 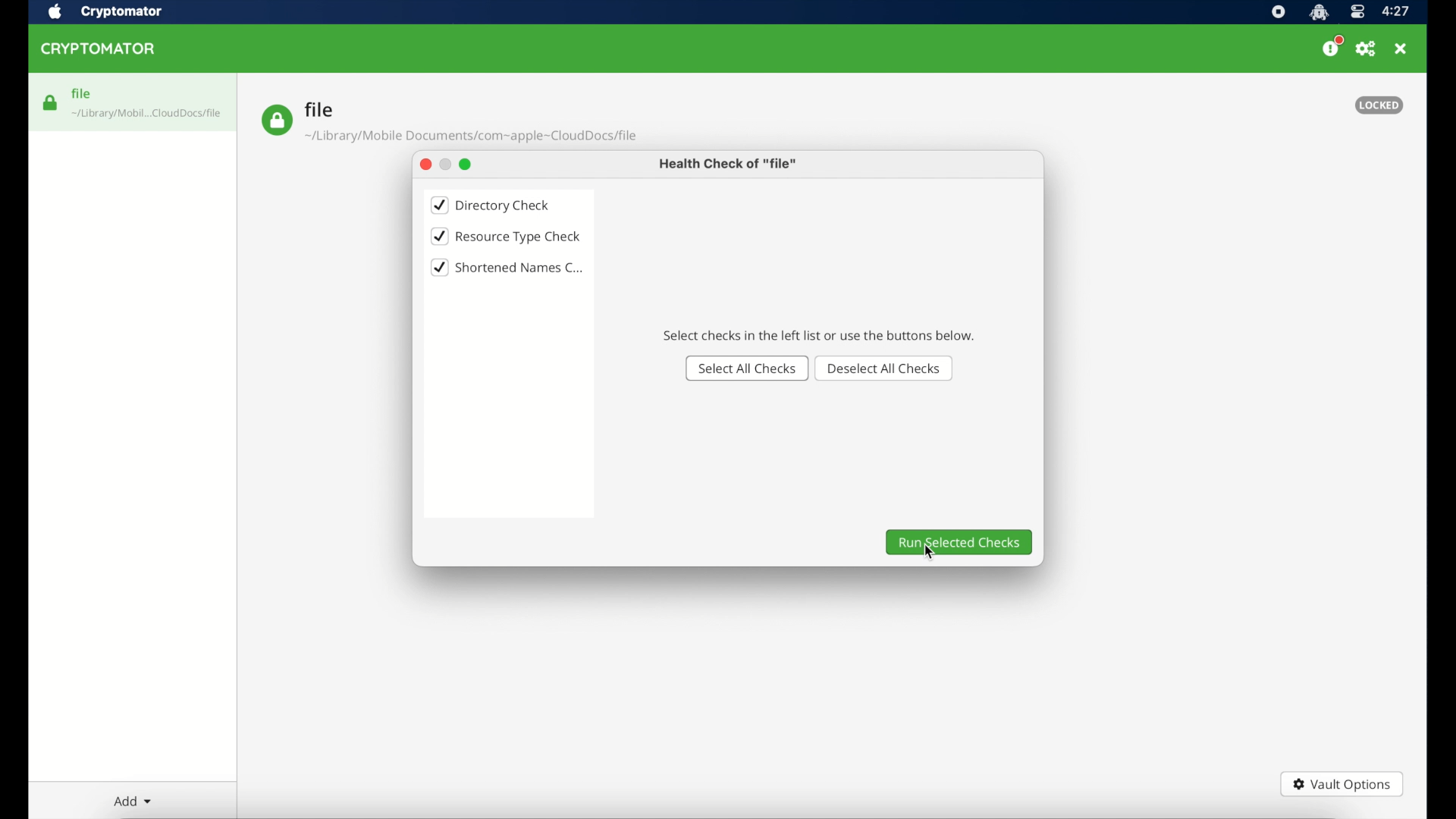 What do you see at coordinates (449, 122) in the screenshot?
I see `file` at bounding box center [449, 122].